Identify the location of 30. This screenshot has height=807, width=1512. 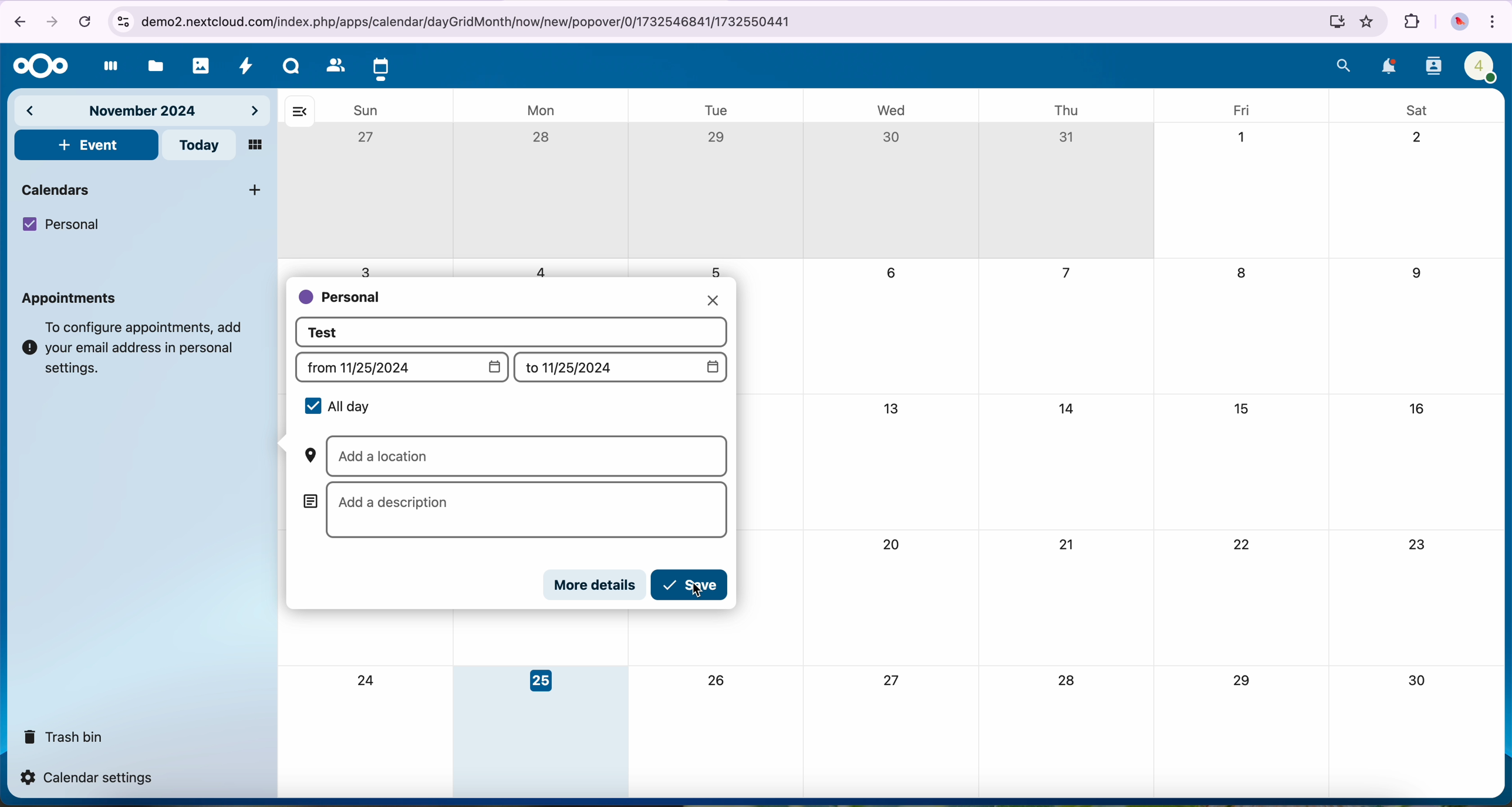
(891, 137).